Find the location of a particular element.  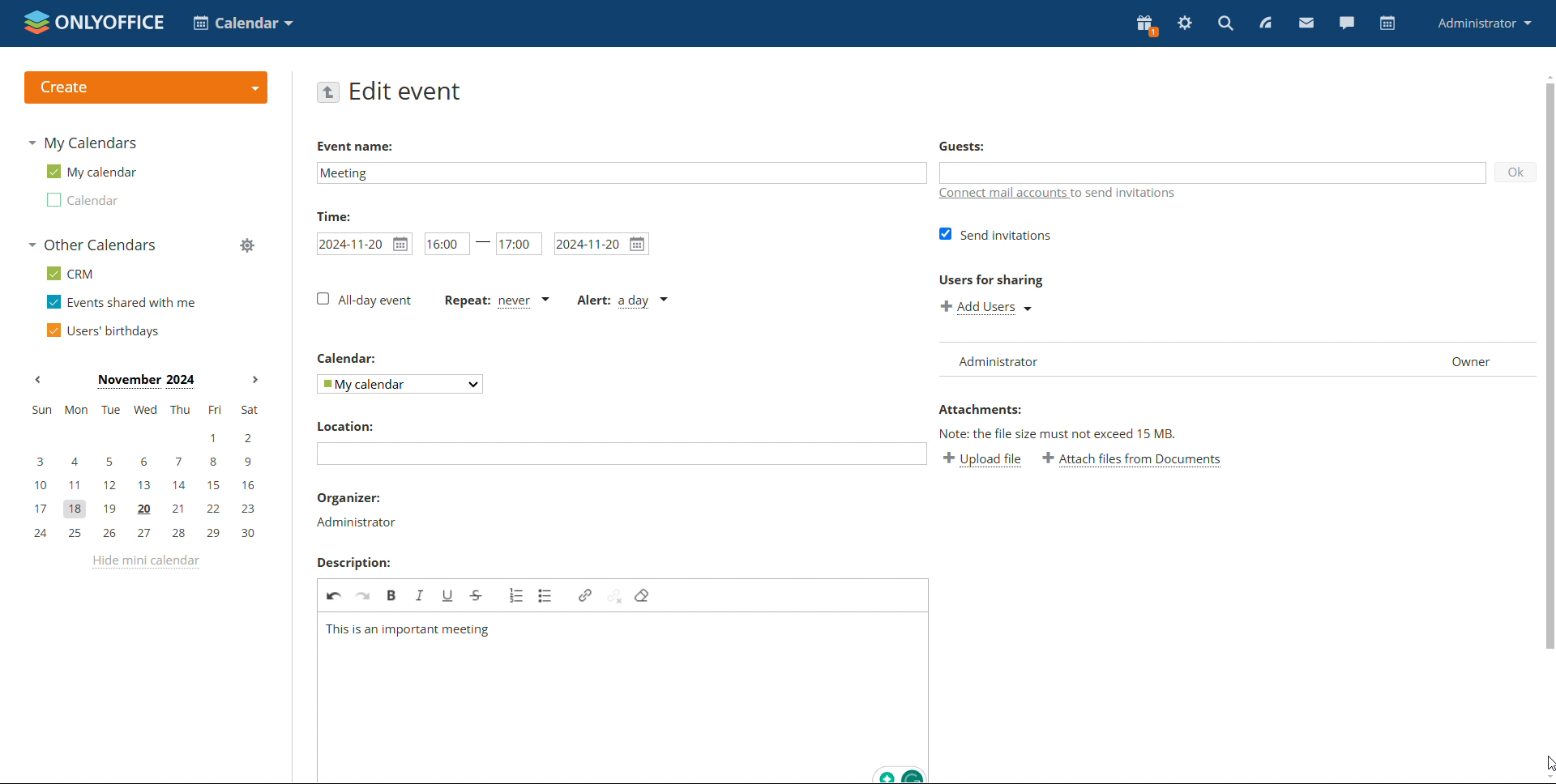

manage is located at coordinates (247, 245).